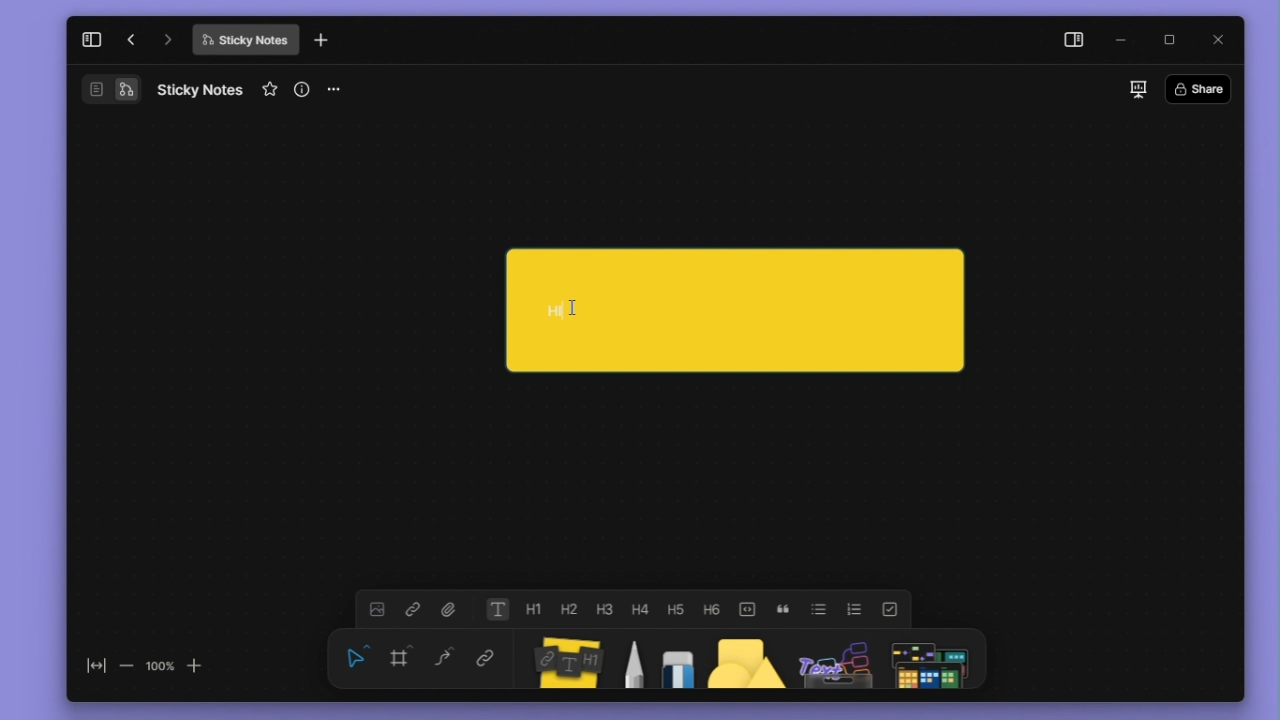 Image resolution: width=1280 pixels, height=720 pixels. What do you see at coordinates (743, 659) in the screenshot?
I see `shape` at bounding box center [743, 659].